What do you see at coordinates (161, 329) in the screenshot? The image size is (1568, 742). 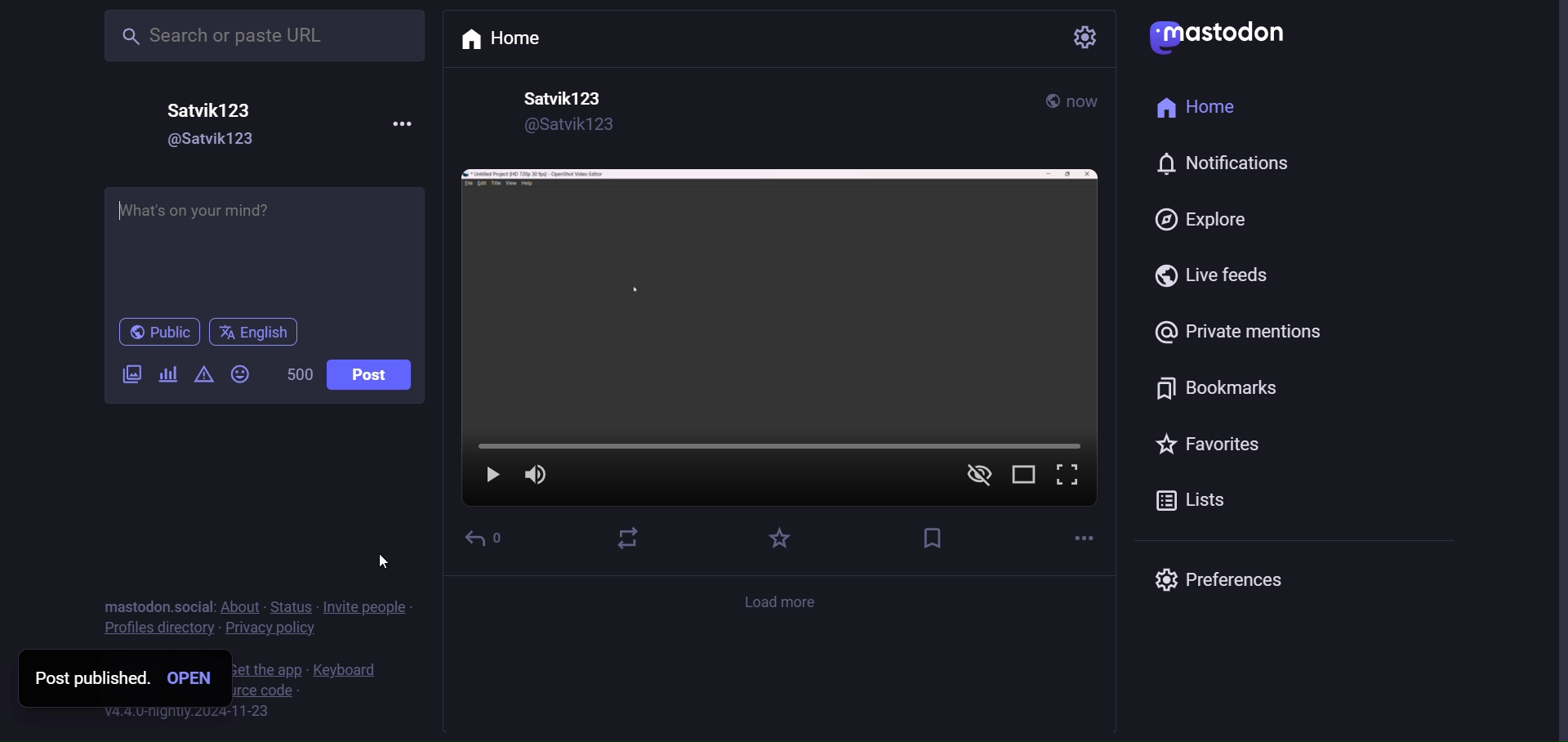 I see `public` at bounding box center [161, 329].